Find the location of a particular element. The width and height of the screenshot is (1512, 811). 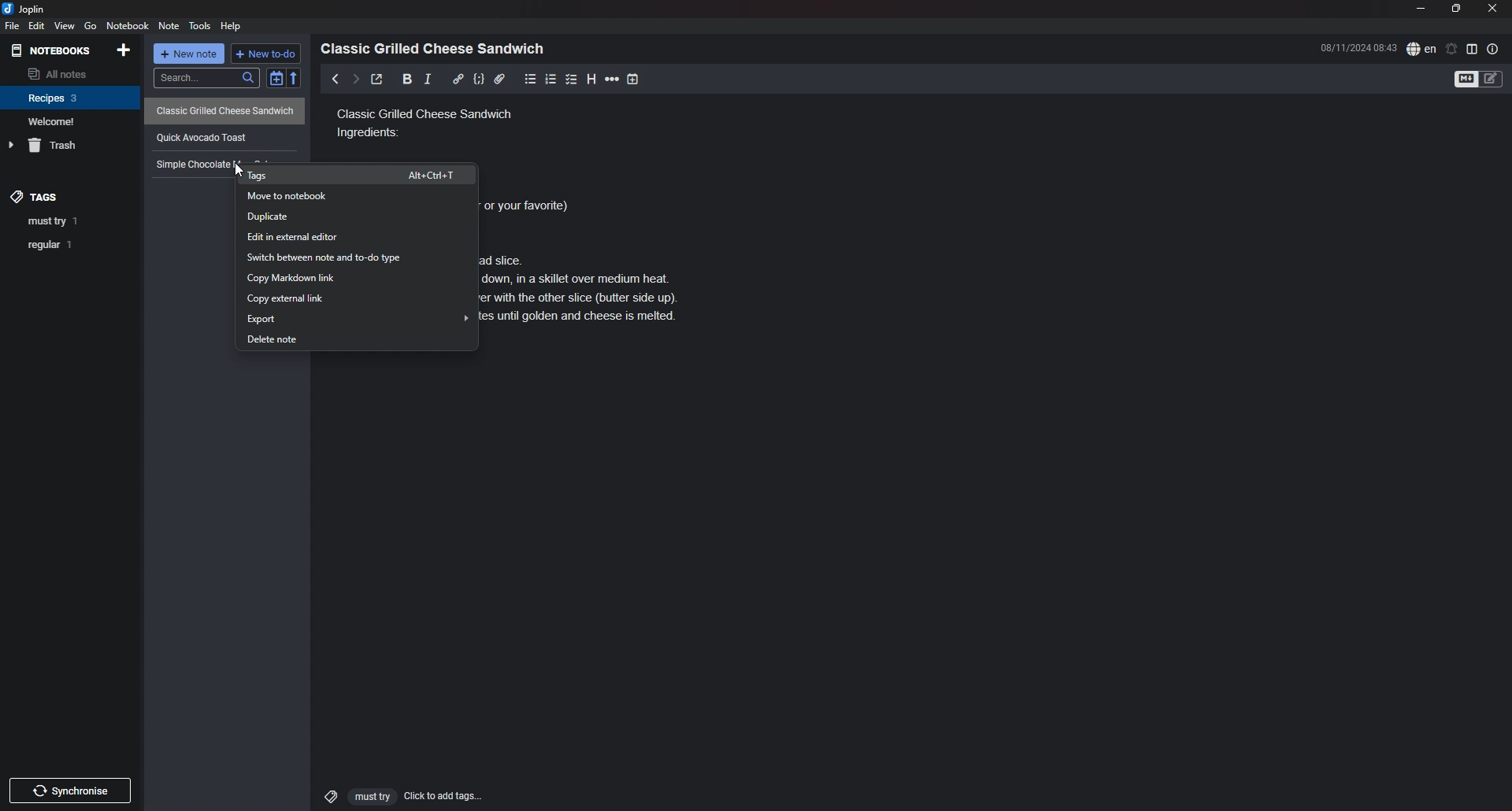

checkbox is located at coordinates (572, 79).